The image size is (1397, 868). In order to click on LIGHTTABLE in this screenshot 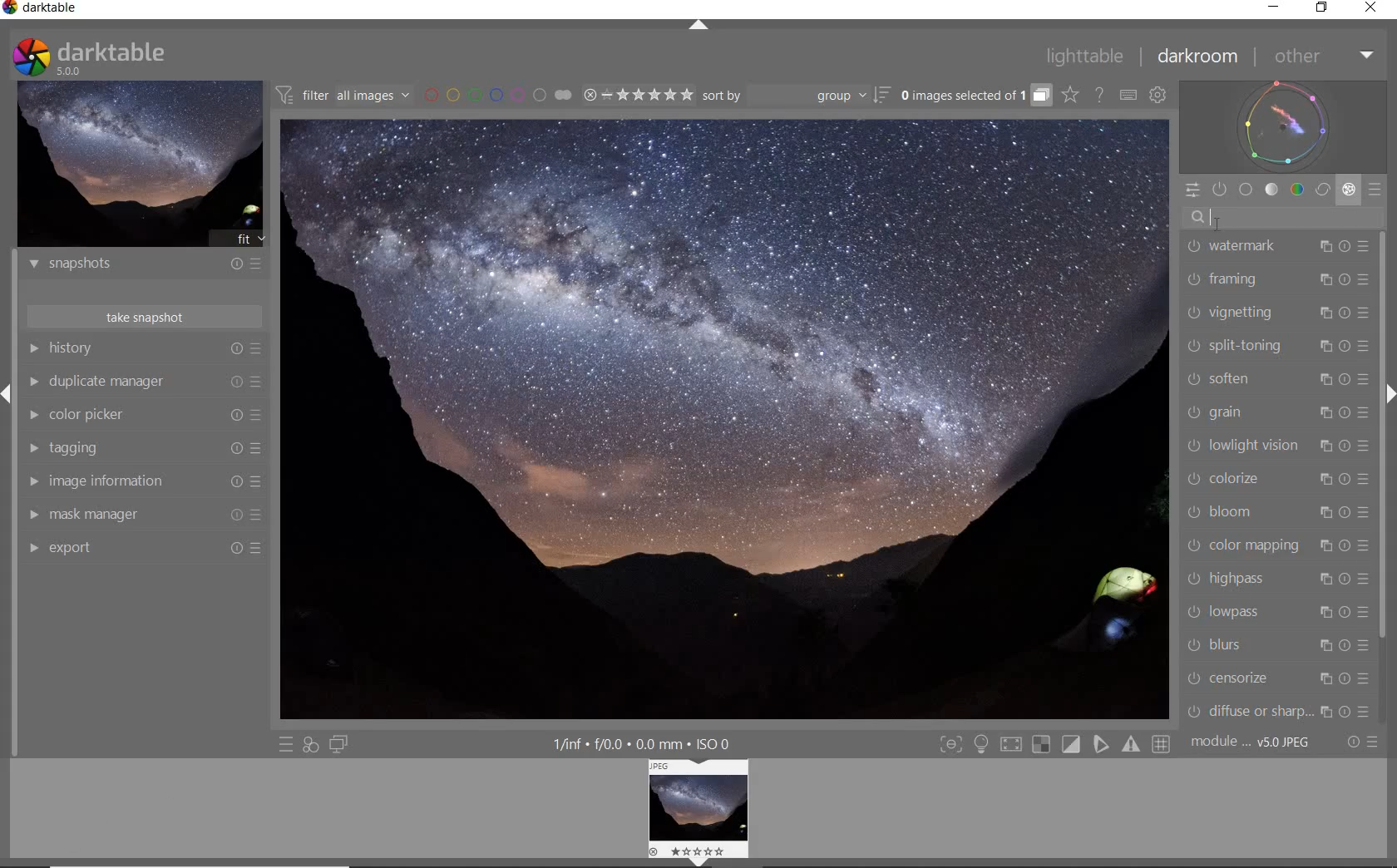, I will do `click(1097, 54)`.